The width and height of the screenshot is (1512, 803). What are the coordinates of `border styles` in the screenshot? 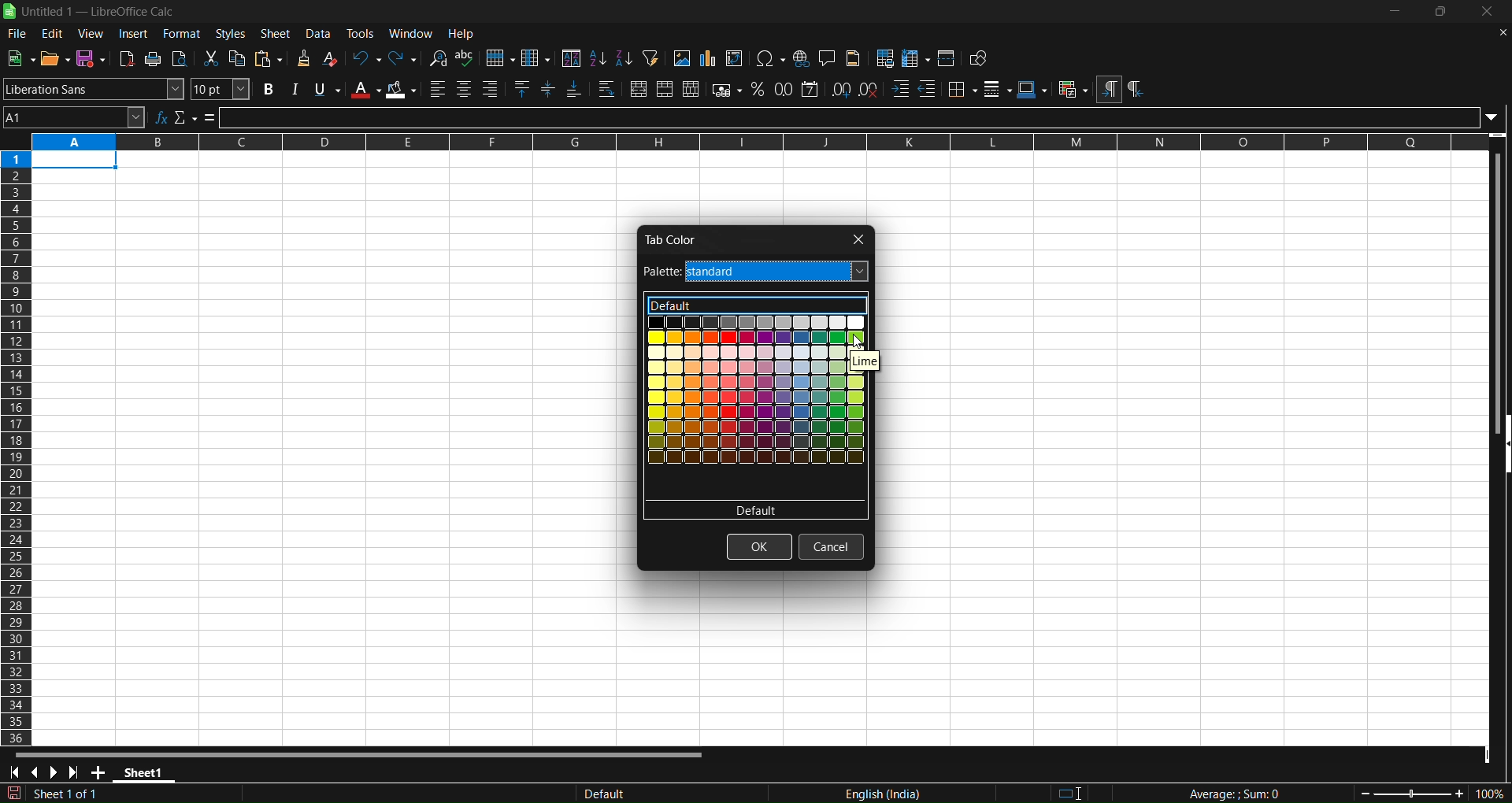 It's located at (998, 89).